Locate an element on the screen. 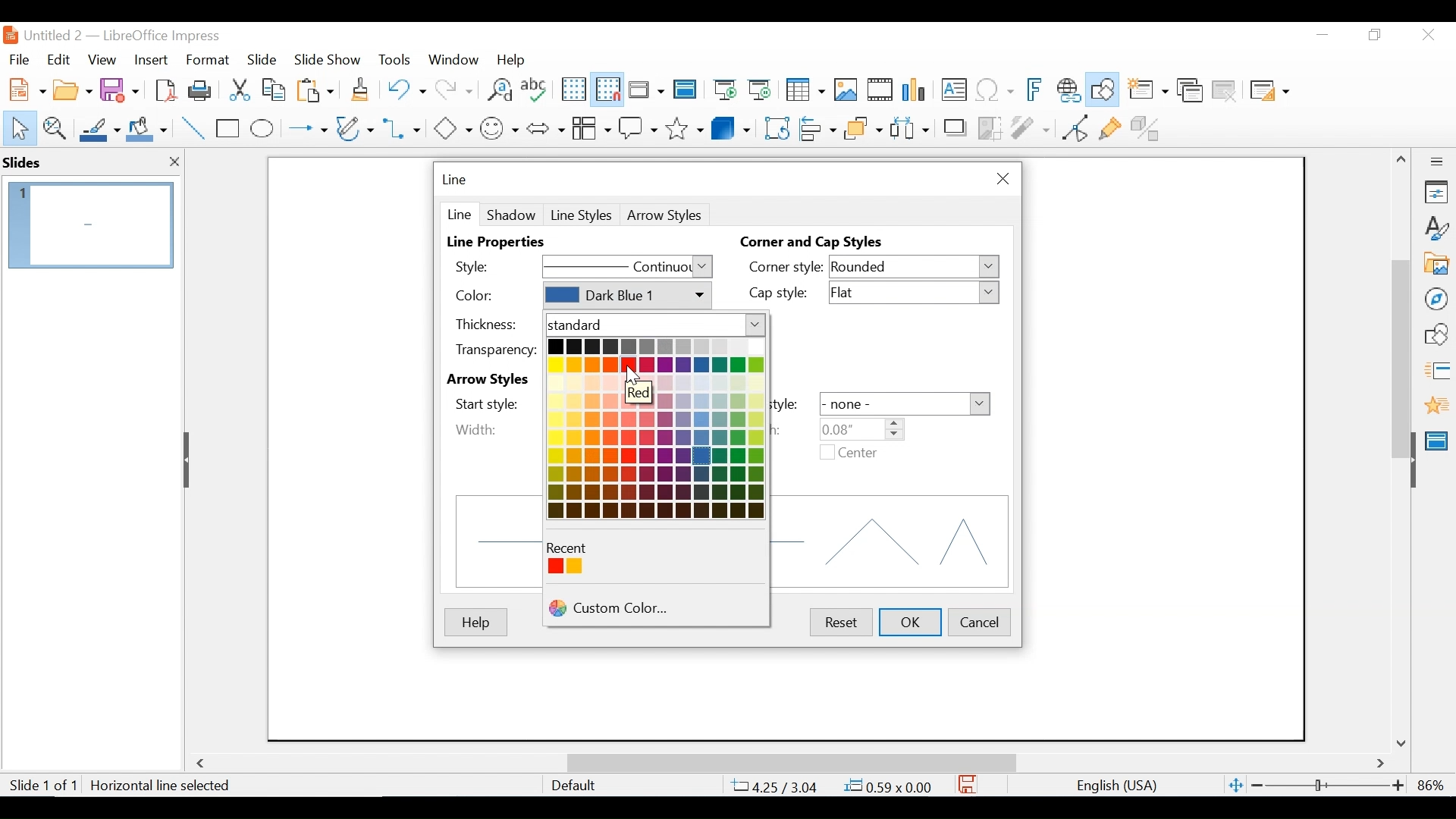 This screenshot has height=819, width=1456. Line Color is located at coordinates (98, 129).